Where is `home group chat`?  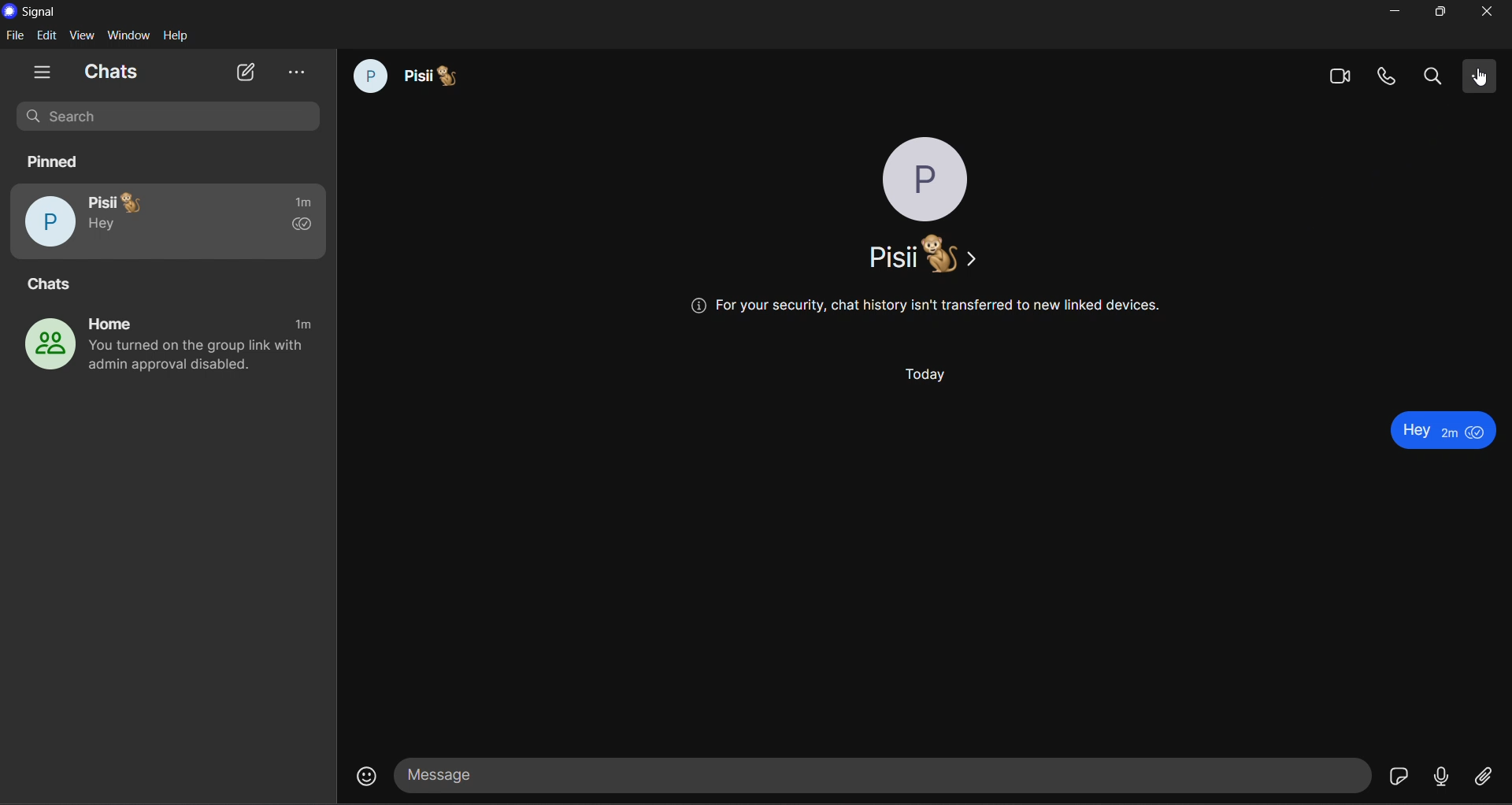
home group chat is located at coordinates (171, 348).